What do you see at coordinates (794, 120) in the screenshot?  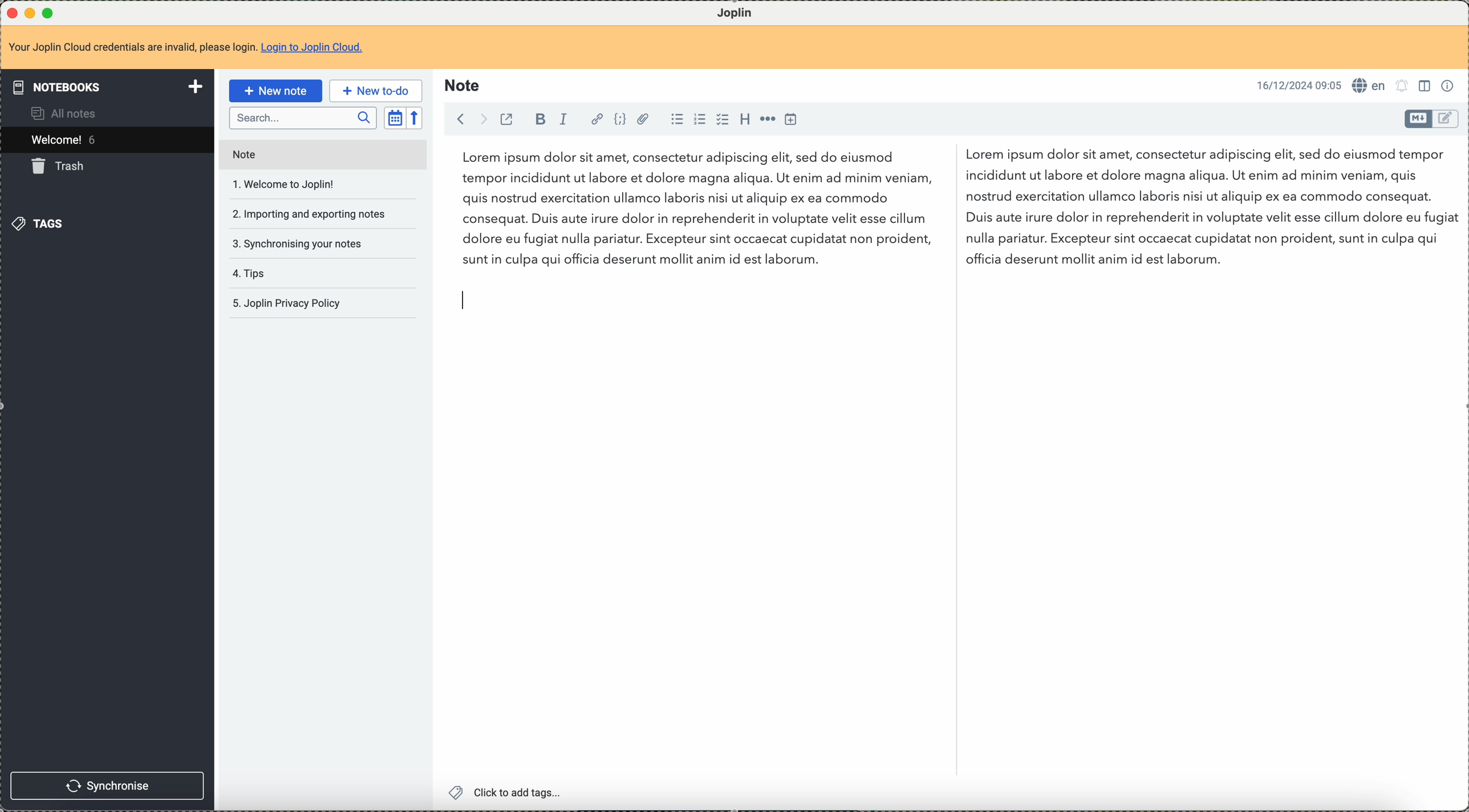 I see `insert time` at bounding box center [794, 120].